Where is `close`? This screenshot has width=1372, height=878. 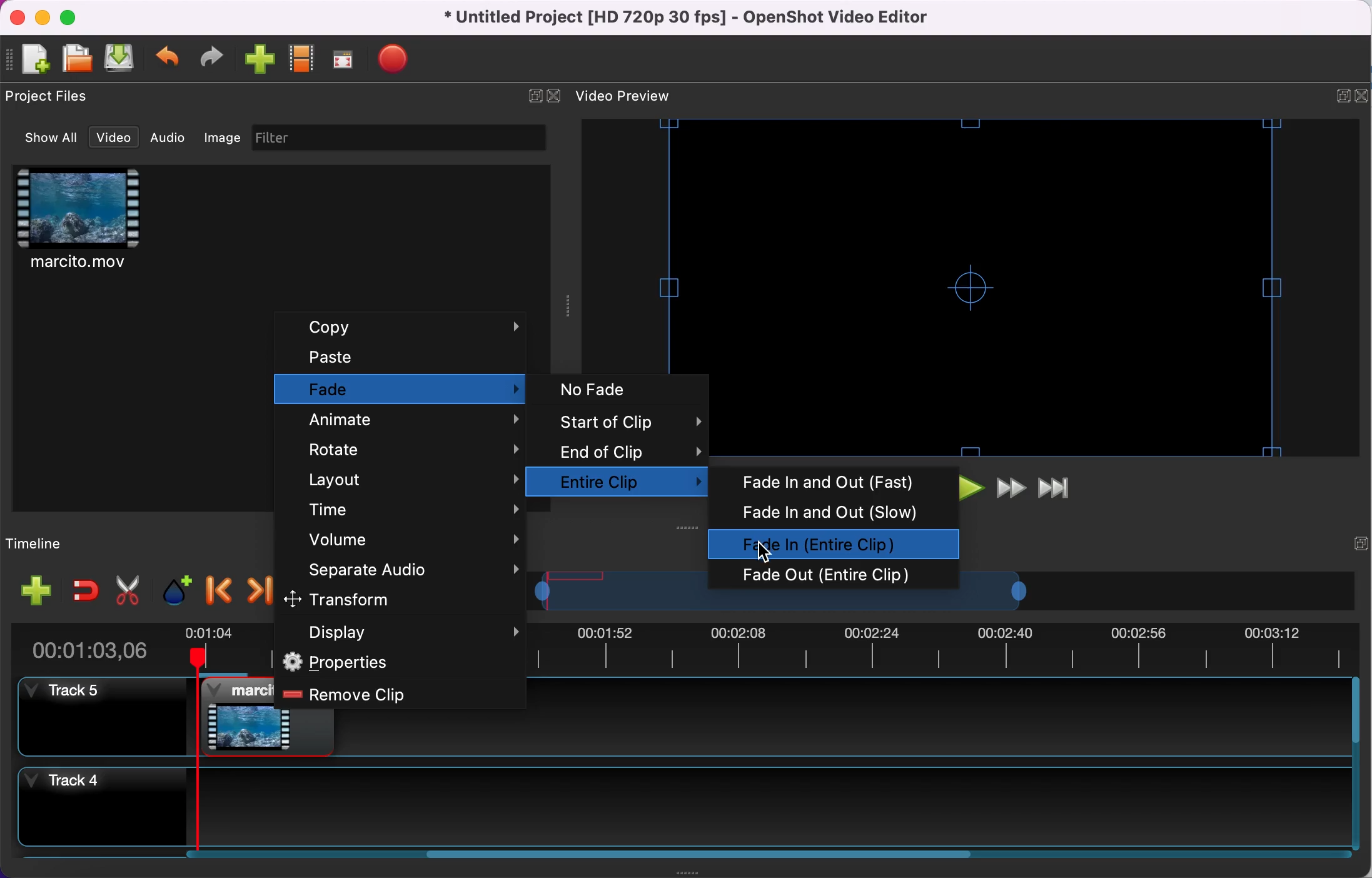
close is located at coordinates (19, 17).